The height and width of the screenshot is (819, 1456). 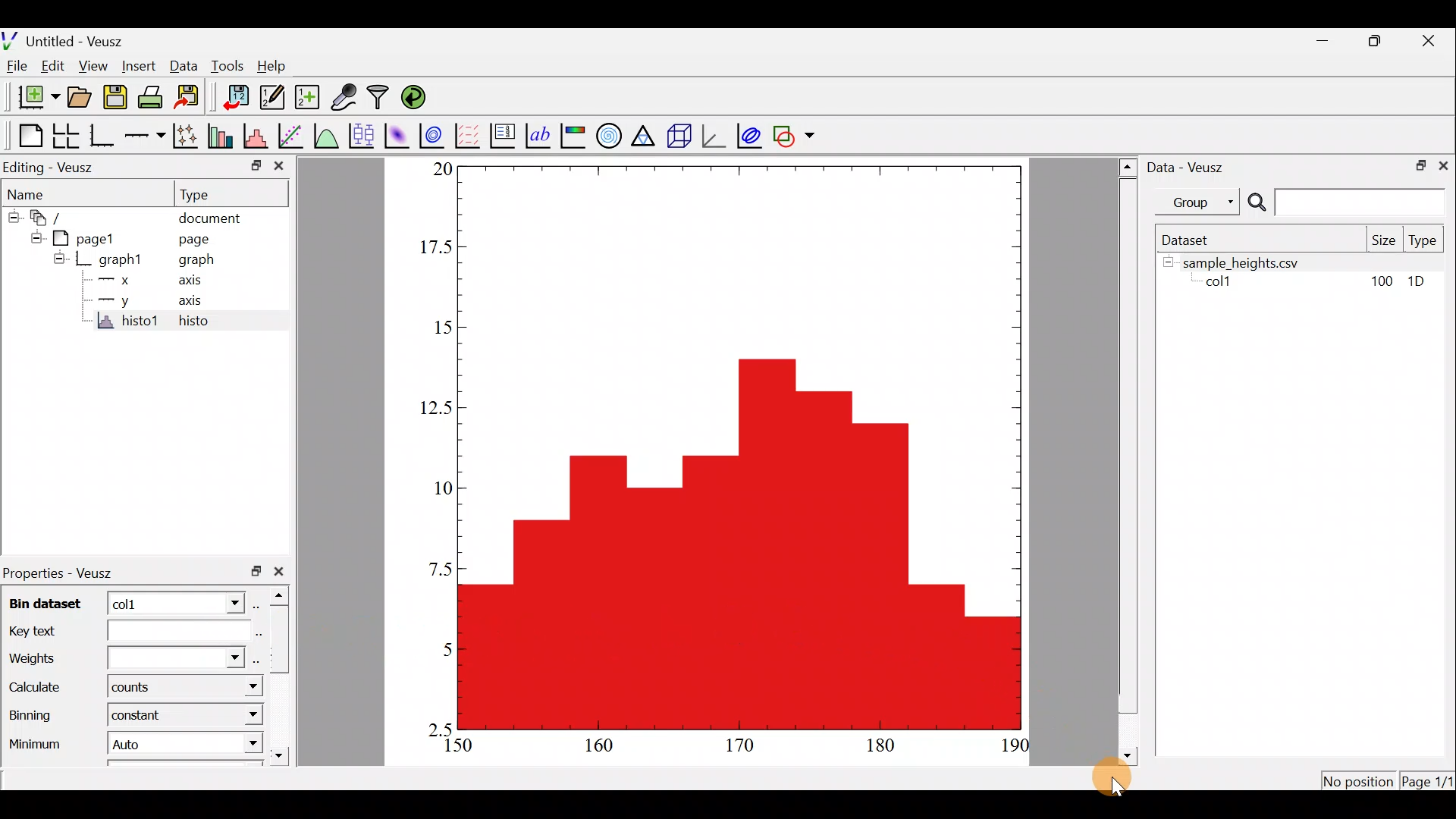 What do you see at coordinates (343, 96) in the screenshot?
I see `capture remote data` at bounding box center [343, 96].